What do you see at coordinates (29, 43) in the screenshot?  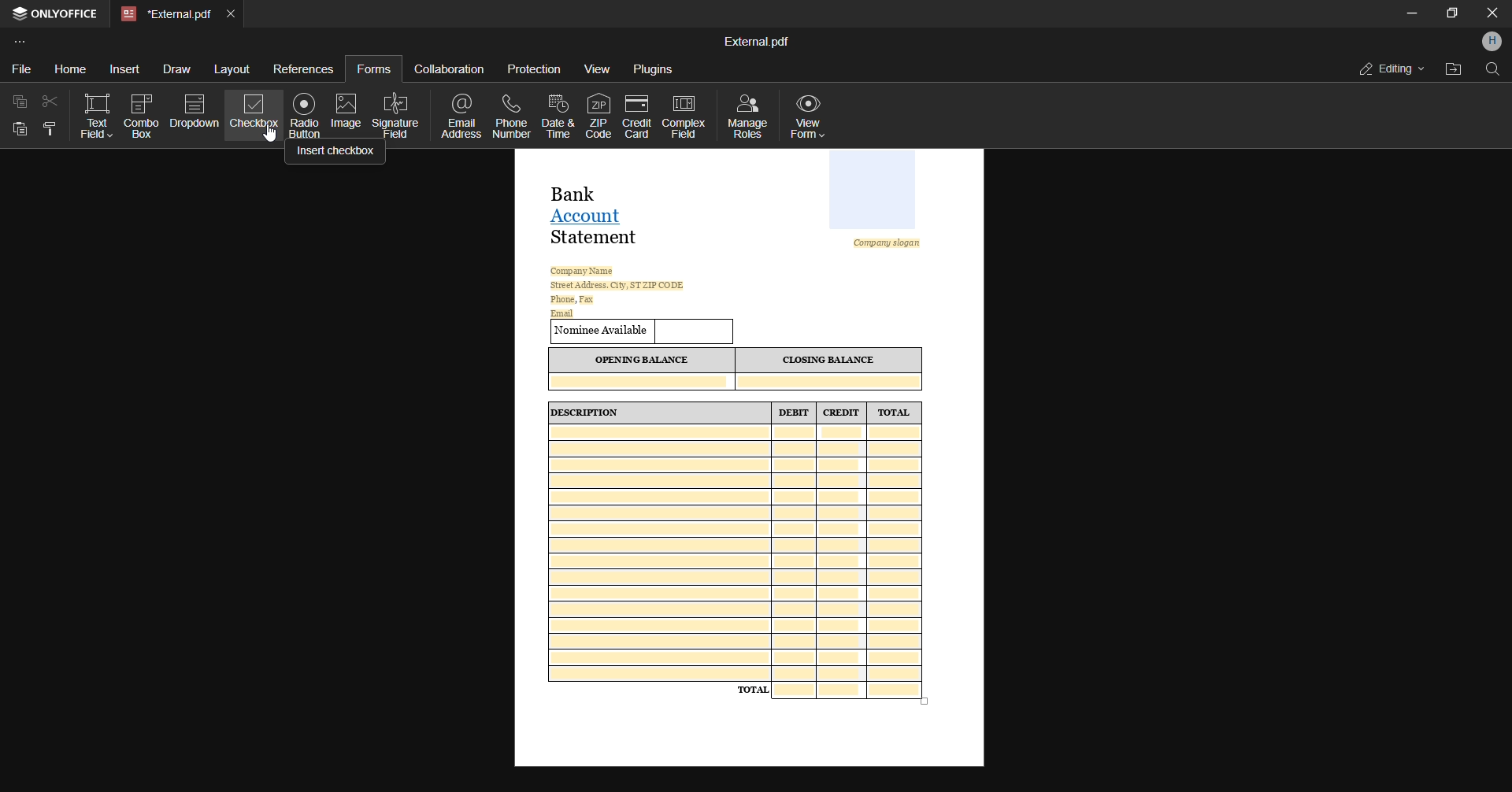 I see `customize toolbar` at bounding box center [29, 43].